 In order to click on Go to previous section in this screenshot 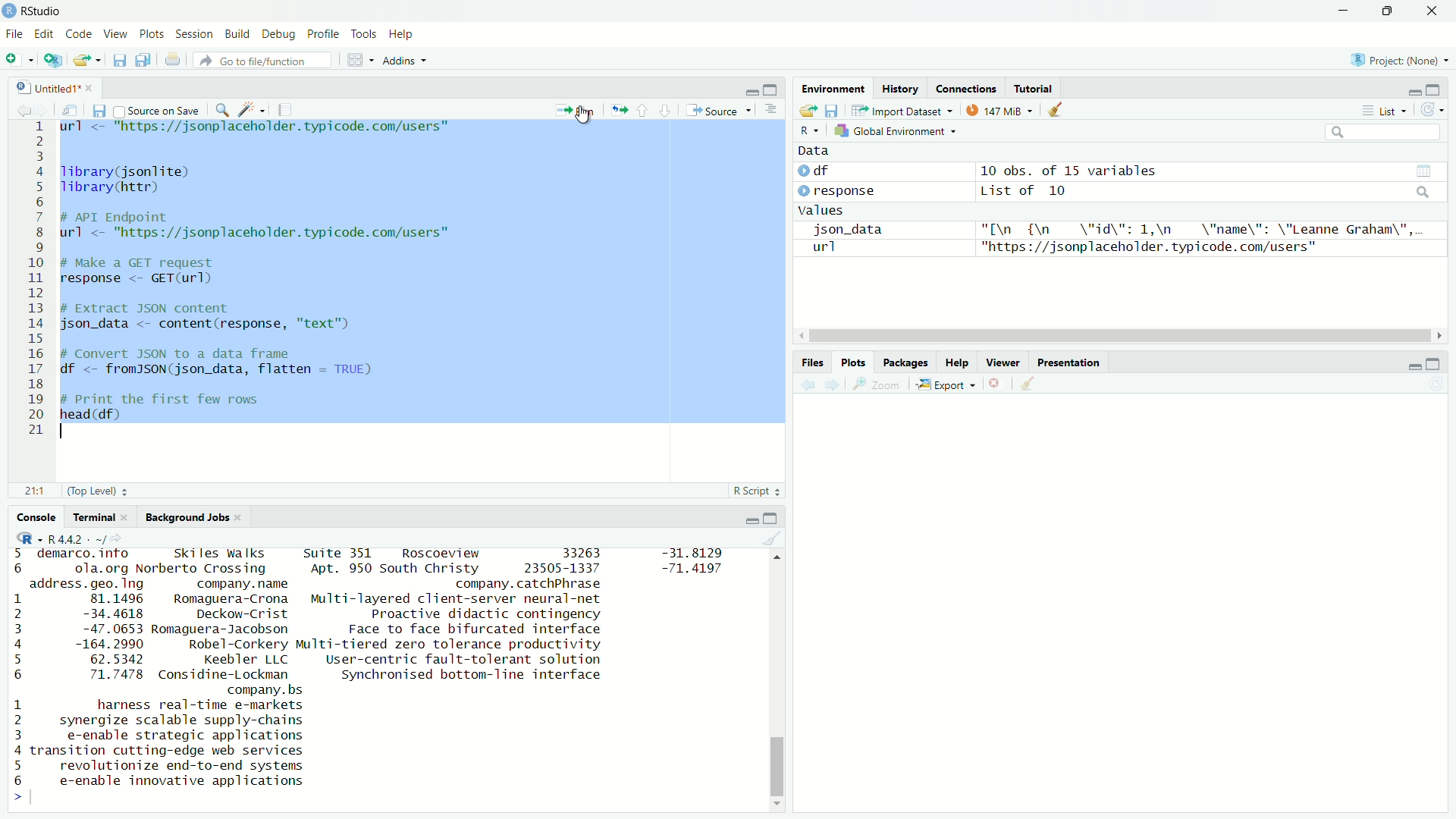, I will do `click(642, 111)`.